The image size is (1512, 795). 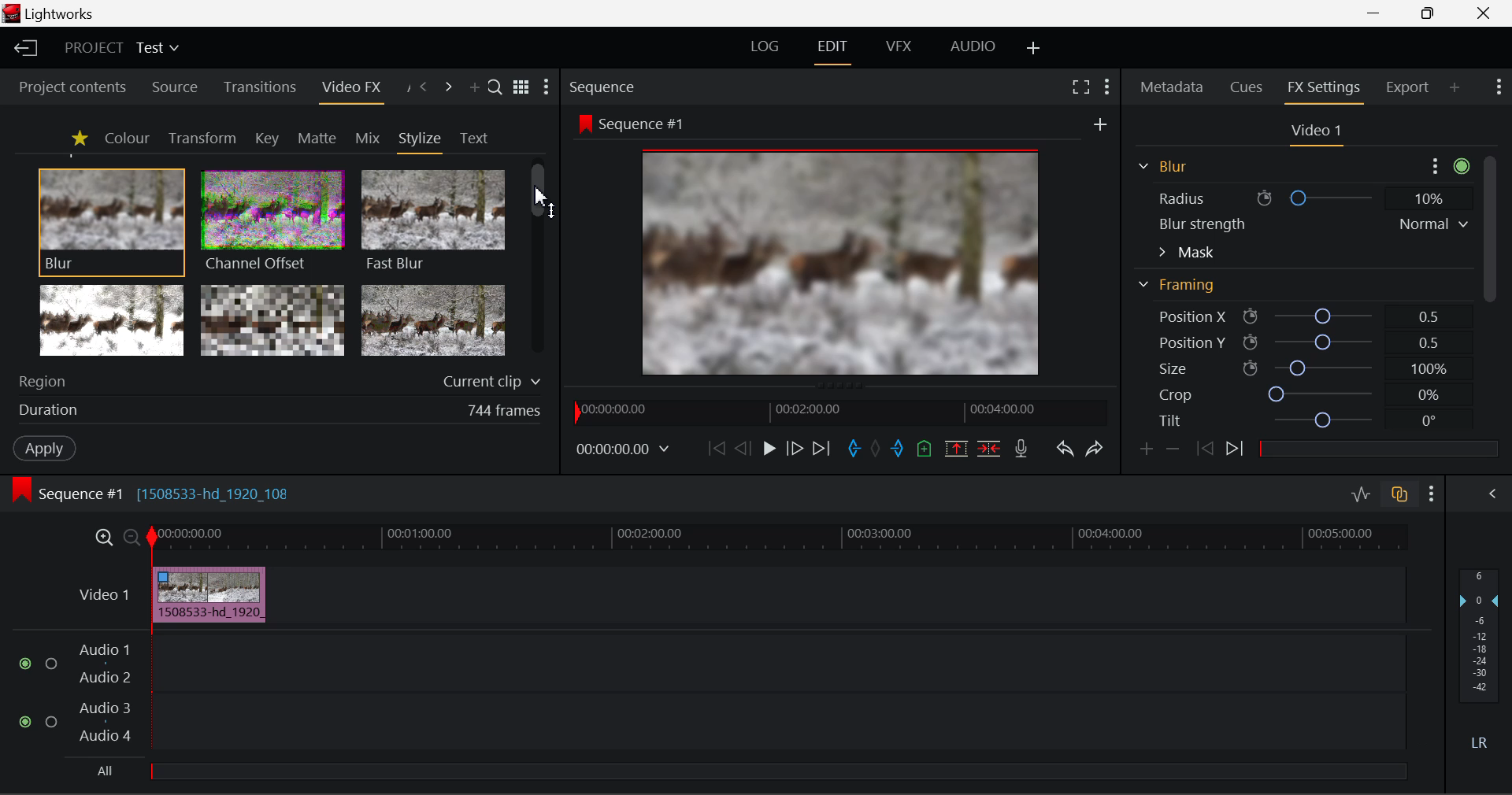 What do you see at coordinates (1488, 250) in the screenshot?
I see `Scroll Bar` at bounding box center [1488, 250].